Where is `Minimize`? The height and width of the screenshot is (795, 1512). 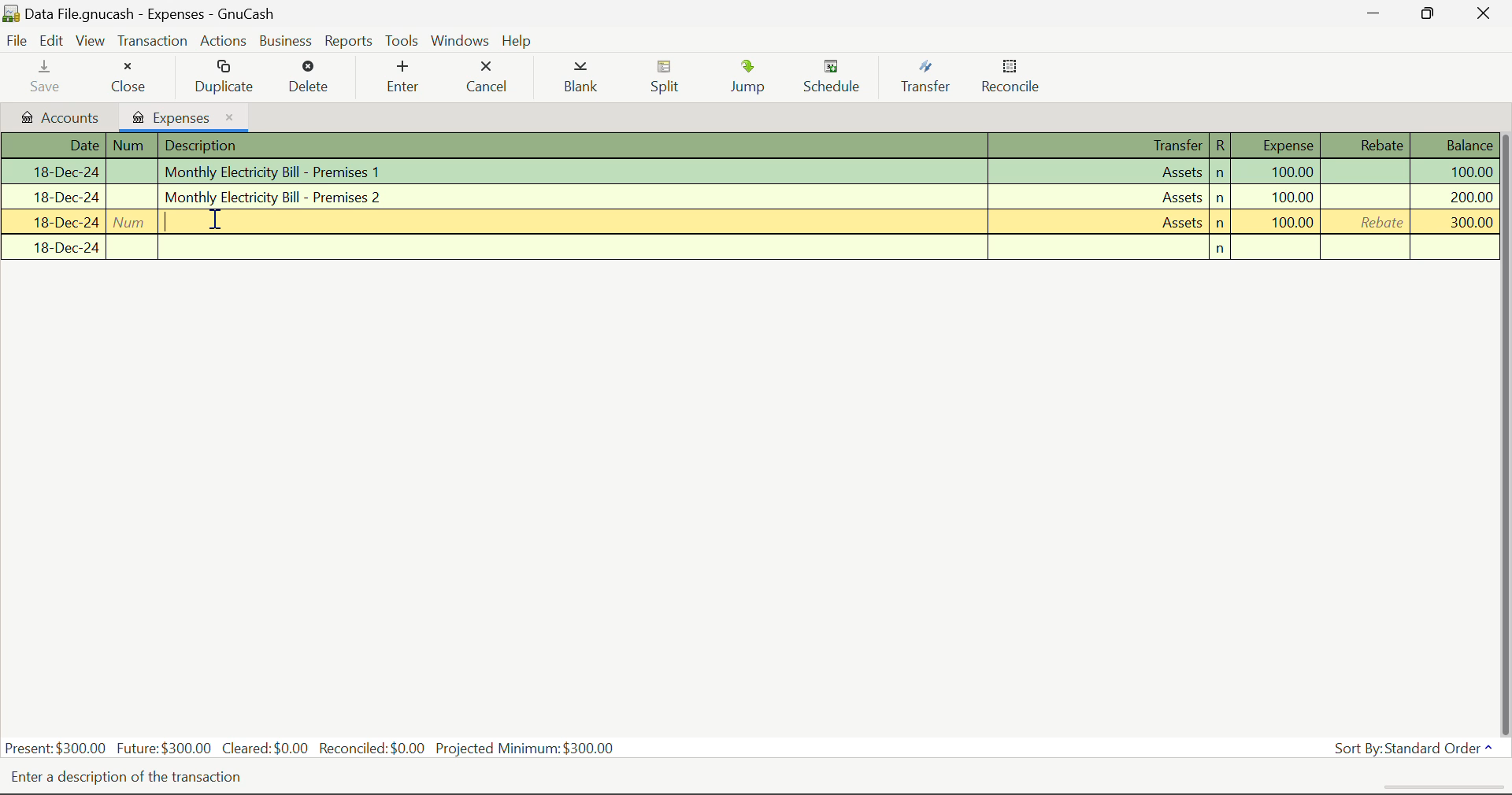
Minimize is located at coordinates (1430, 16).